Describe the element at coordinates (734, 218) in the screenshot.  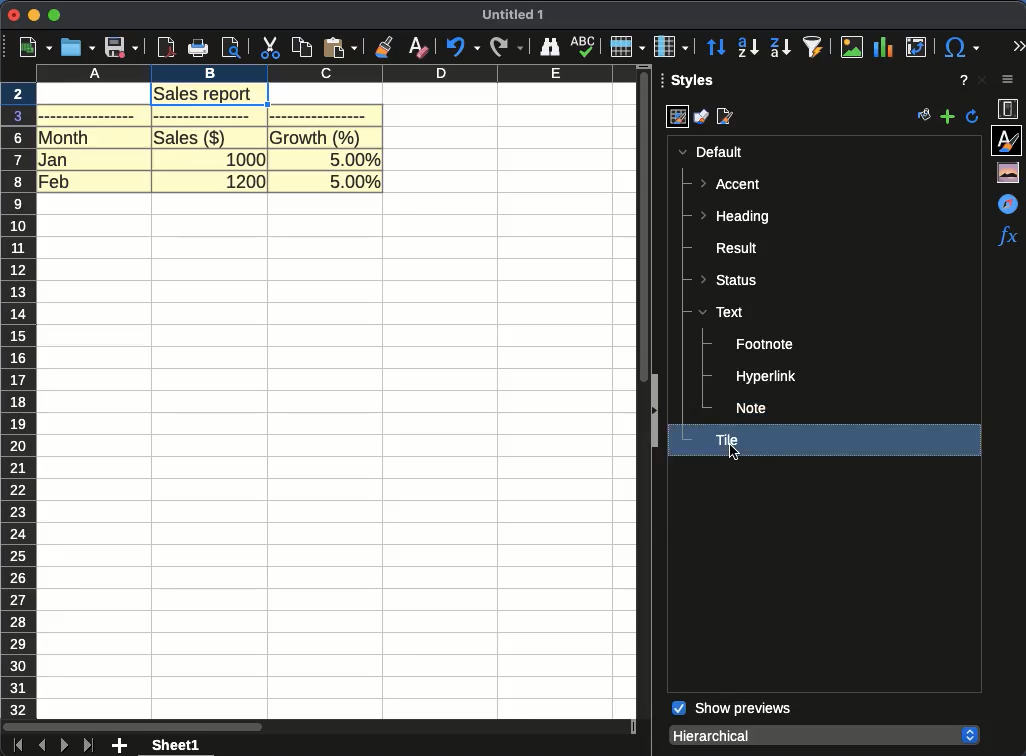
I see `heading` at that location.